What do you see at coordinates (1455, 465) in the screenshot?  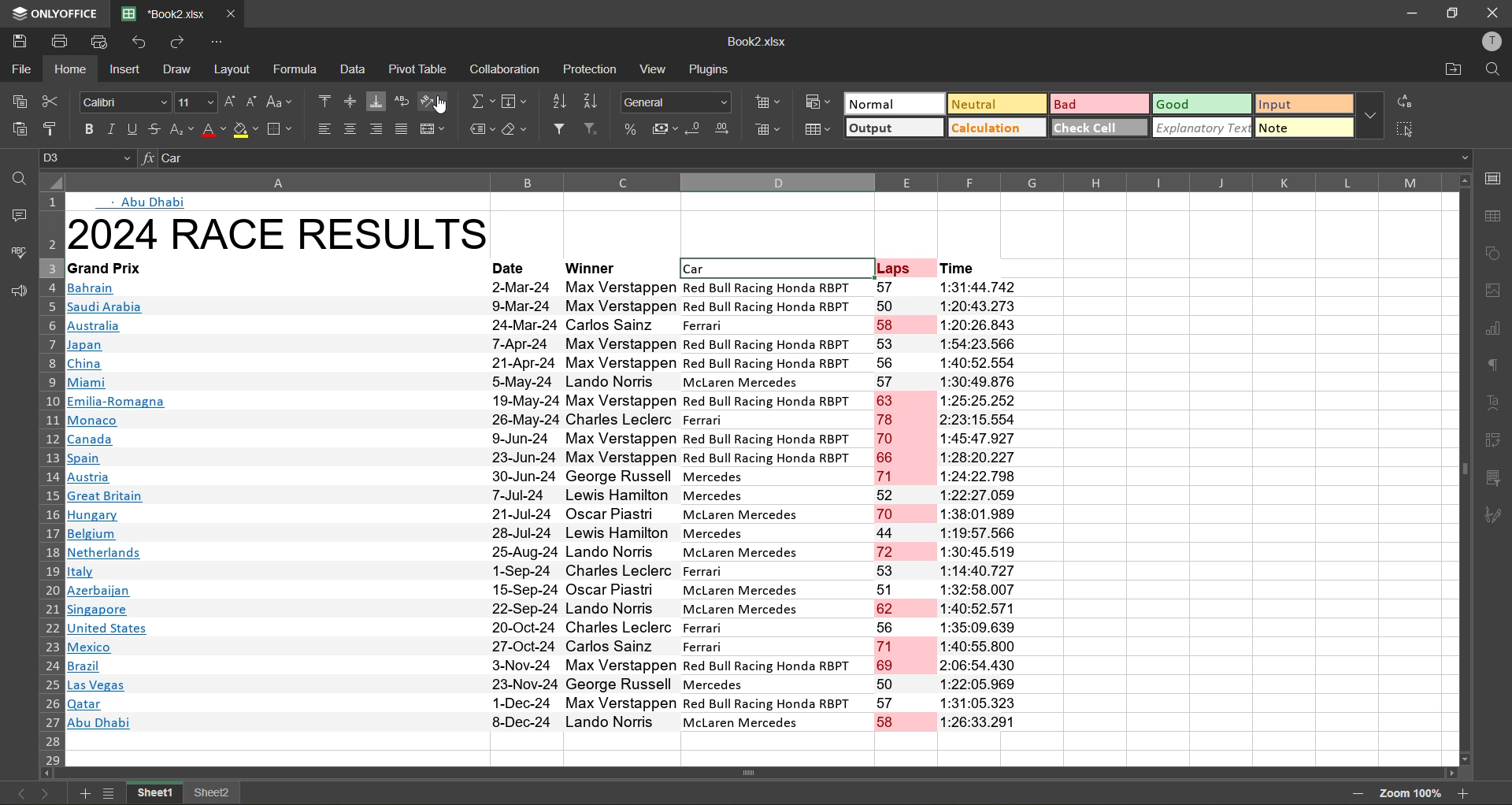 I see `Scrollbar` at bounding box center [1455, 465].